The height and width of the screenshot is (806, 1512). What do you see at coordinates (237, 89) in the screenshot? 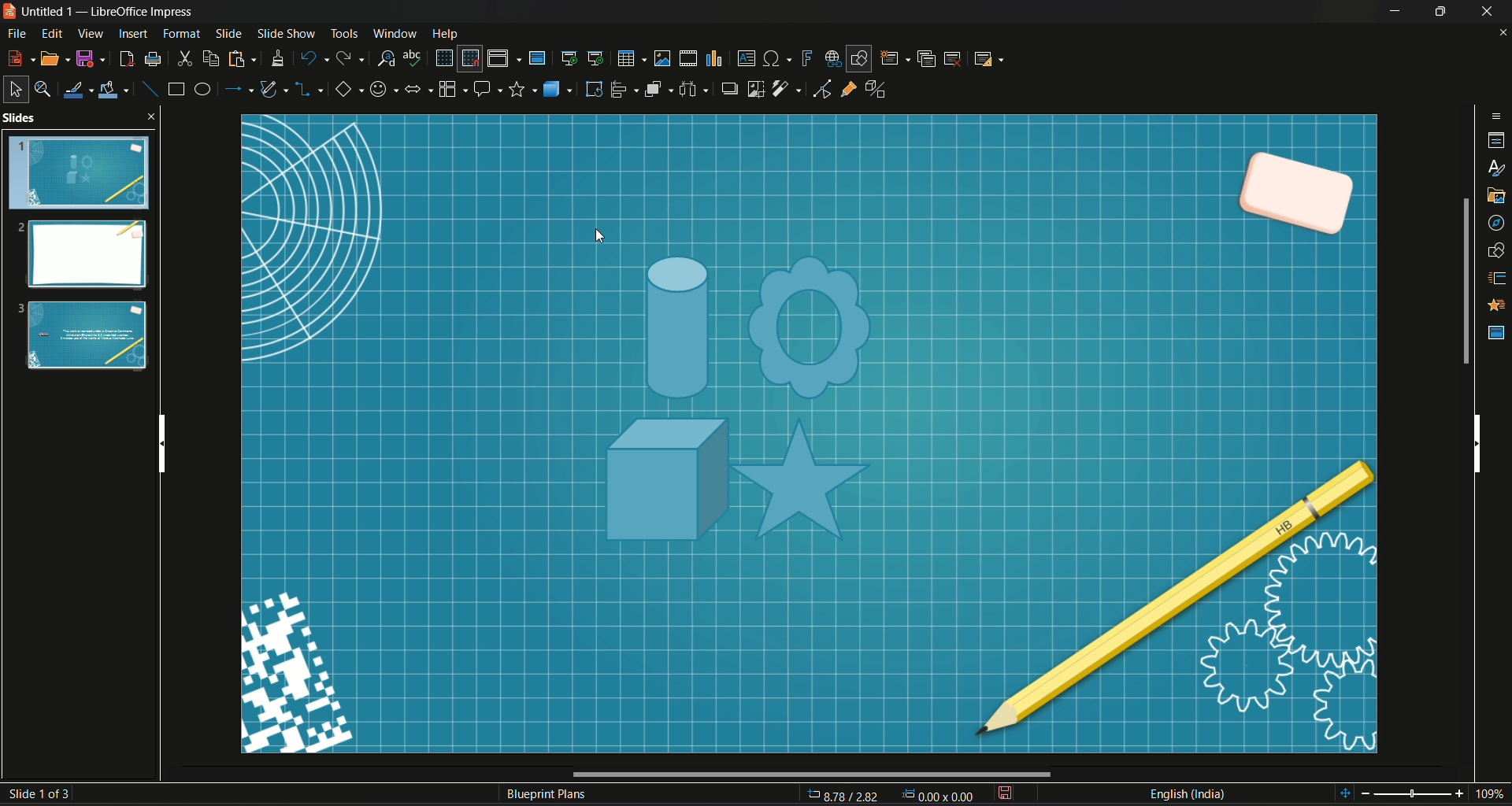
I see `lines and arrow` at bounding box center [237, 89].